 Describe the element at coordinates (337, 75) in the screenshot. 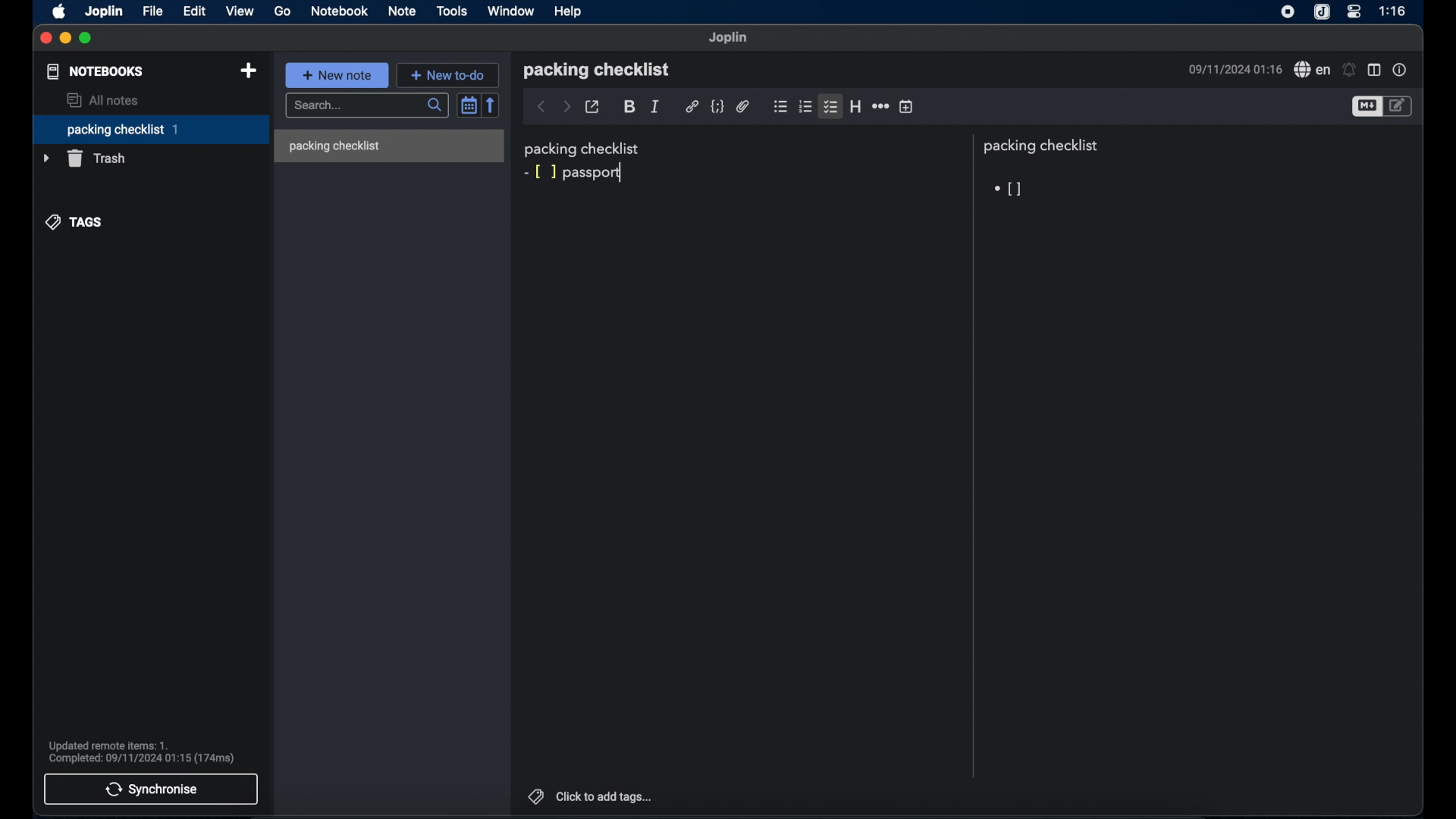

I see `new note` at that location.